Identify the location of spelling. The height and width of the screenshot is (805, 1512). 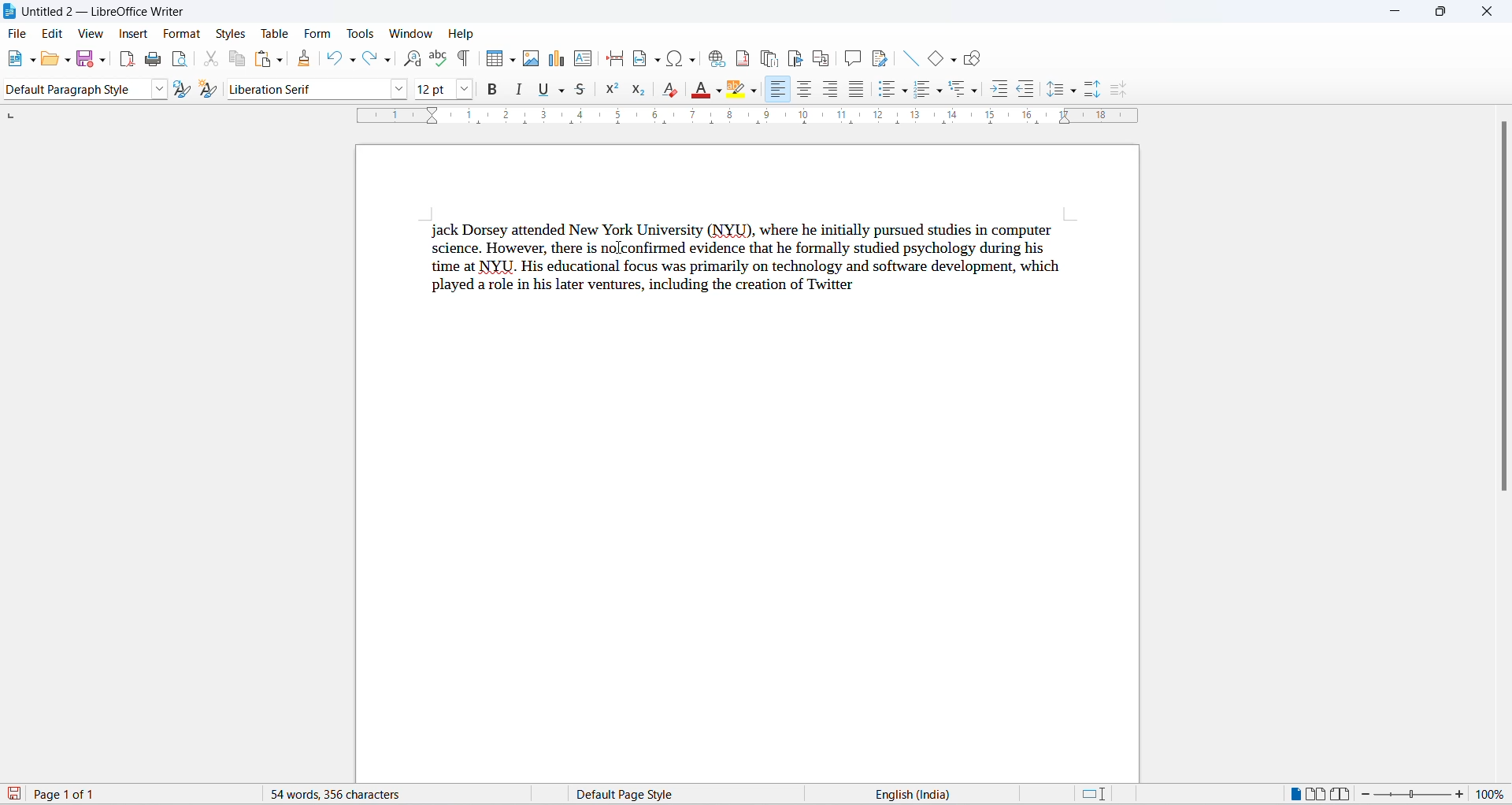
(439, 57).